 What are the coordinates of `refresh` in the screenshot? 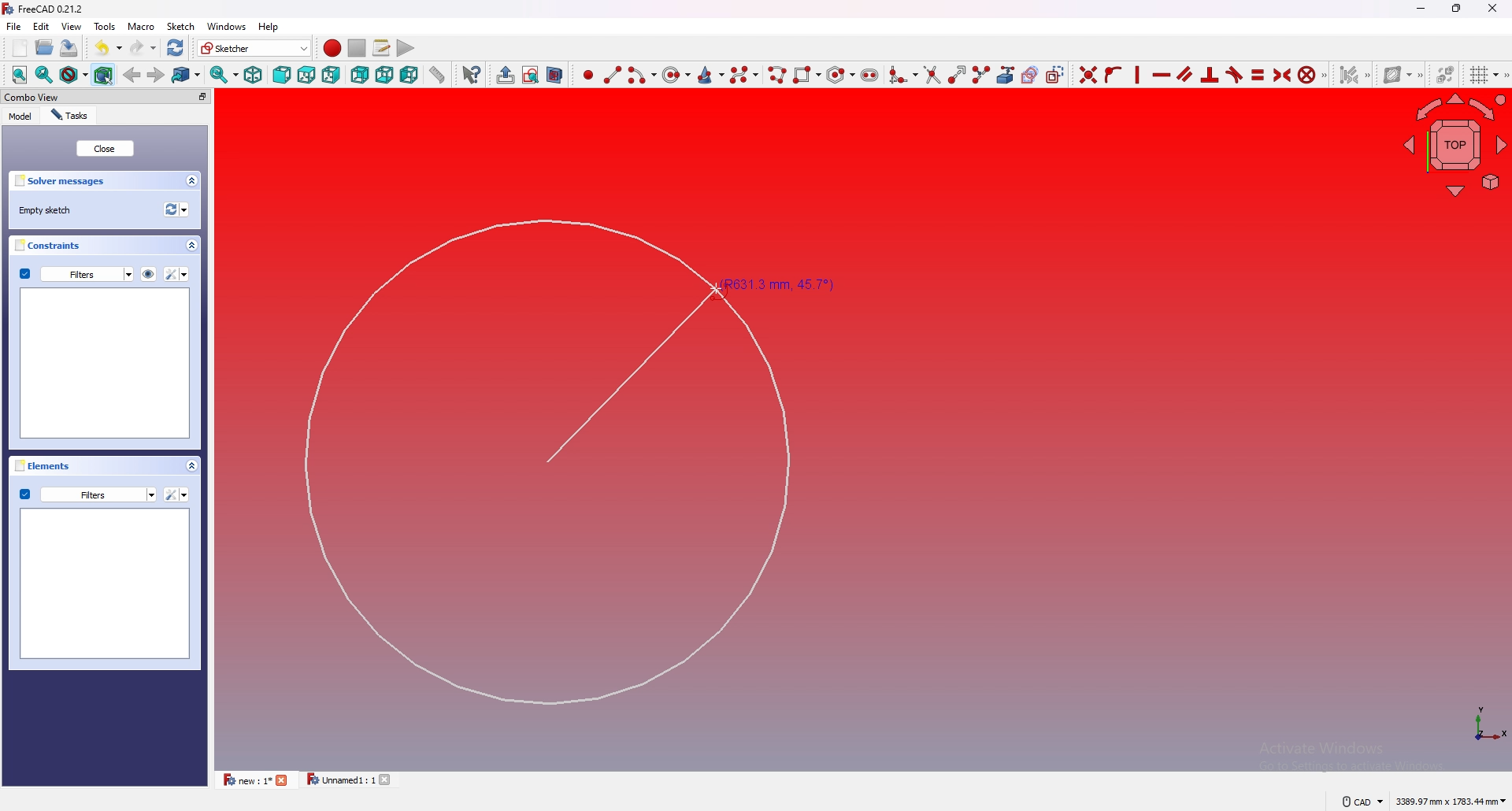 It's located at (176, 48).